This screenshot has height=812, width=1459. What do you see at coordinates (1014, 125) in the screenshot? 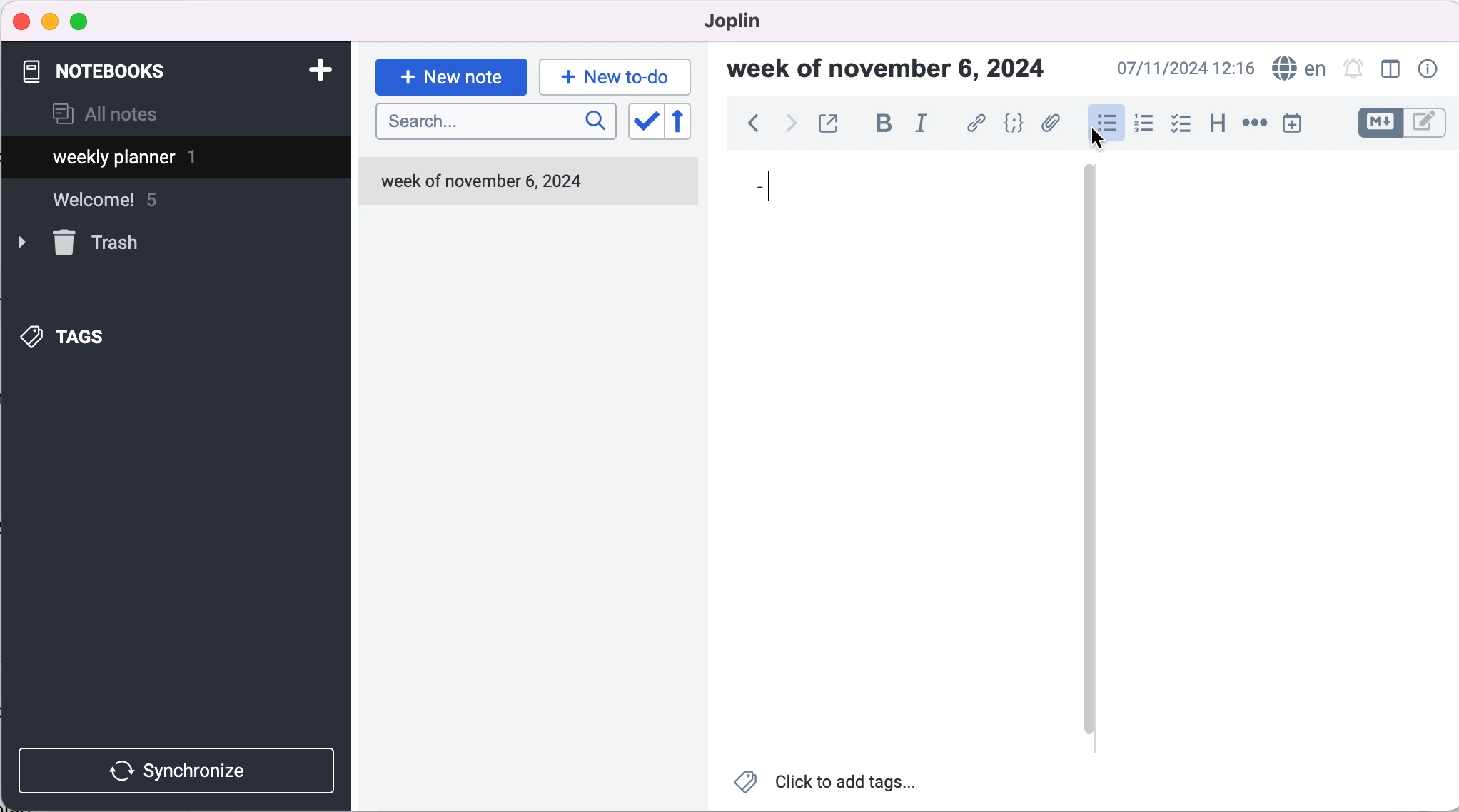
I see `code` at bounding box center [1014, 125].